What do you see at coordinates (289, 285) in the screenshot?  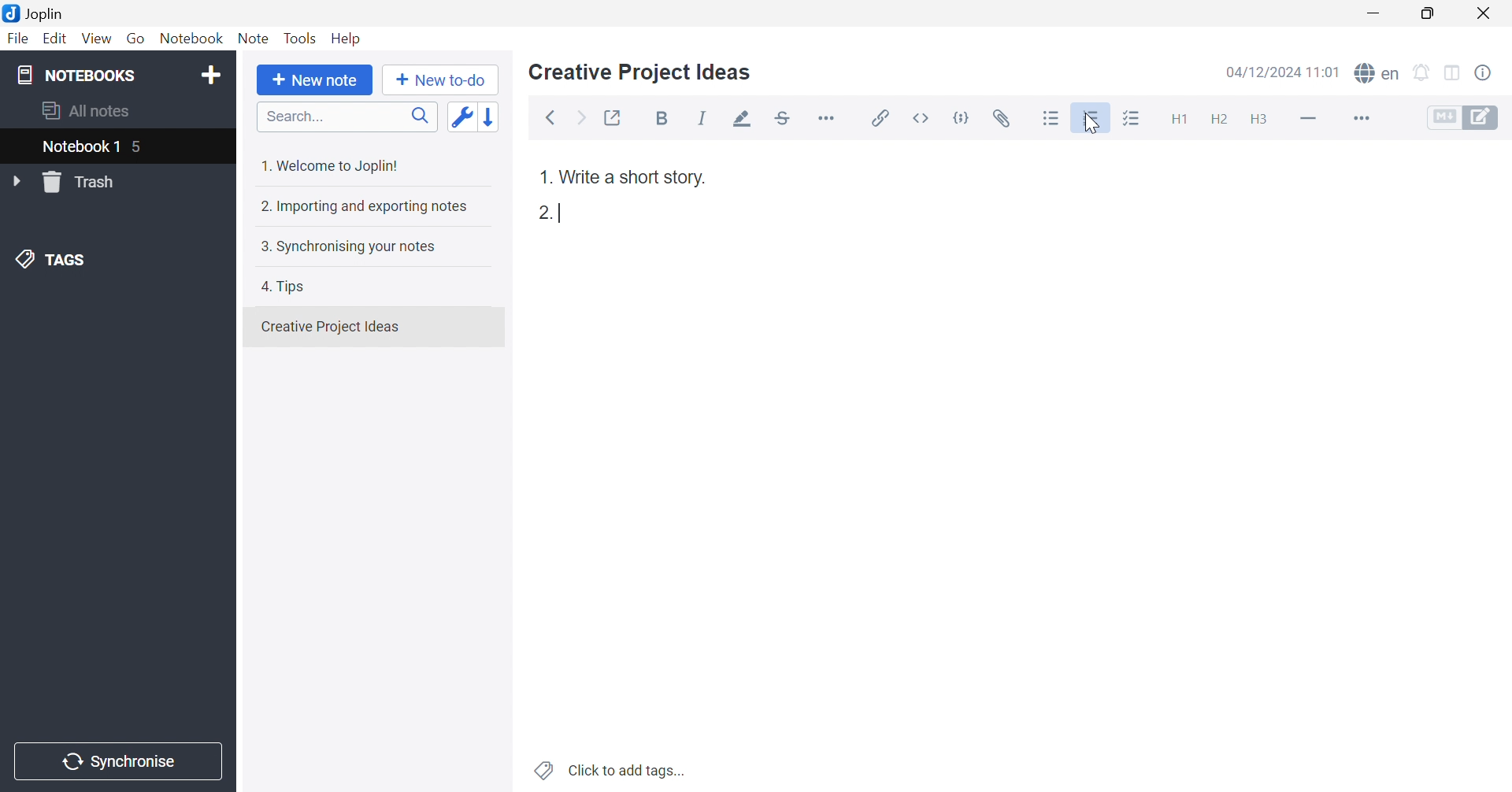 I see `4. Tips` at bounding box center [289, 285].